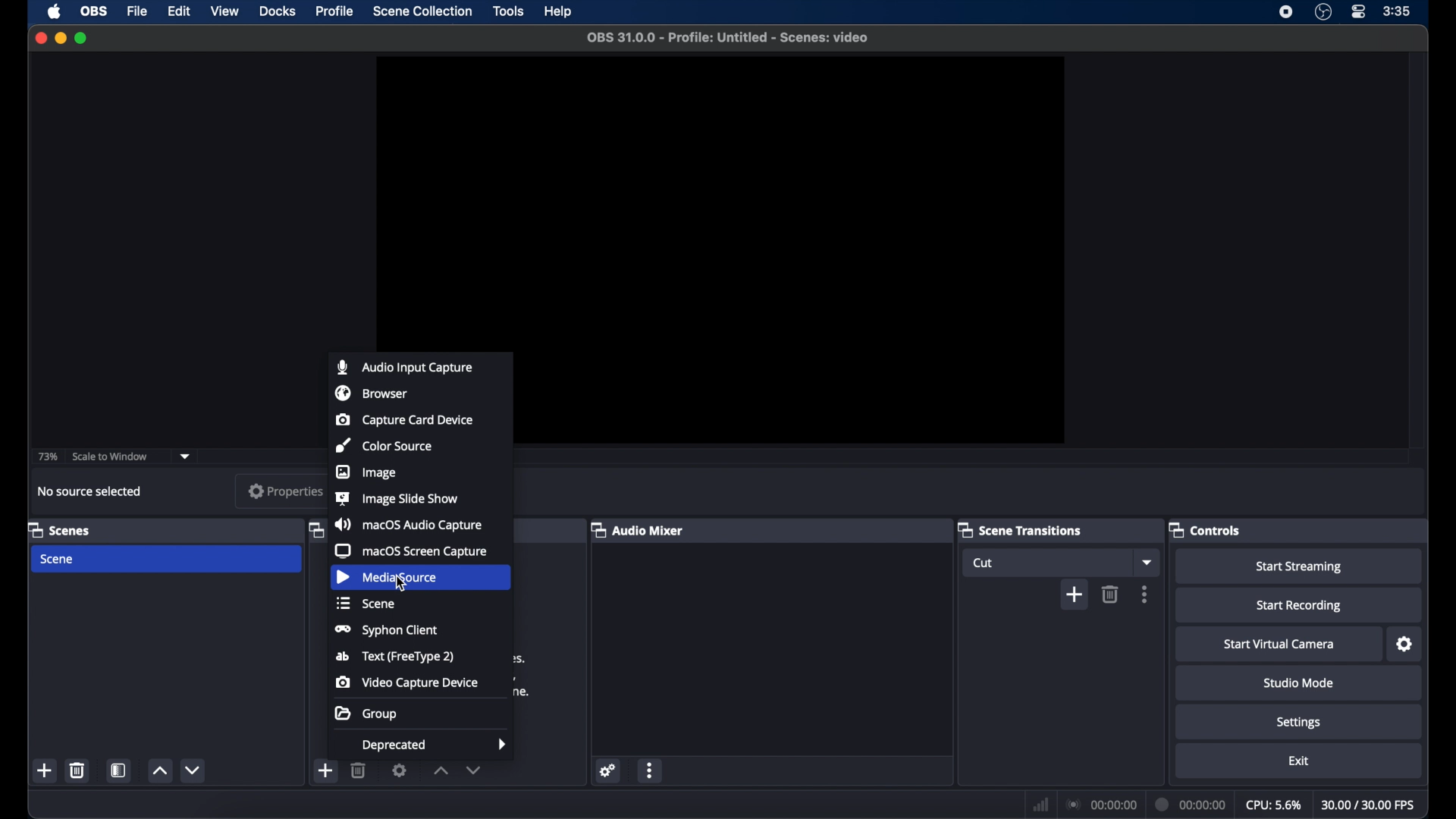  What do you see at coordinates (1286, 12) in the screenshot?
I see `screen recording` at bounding box center [1286, 12].